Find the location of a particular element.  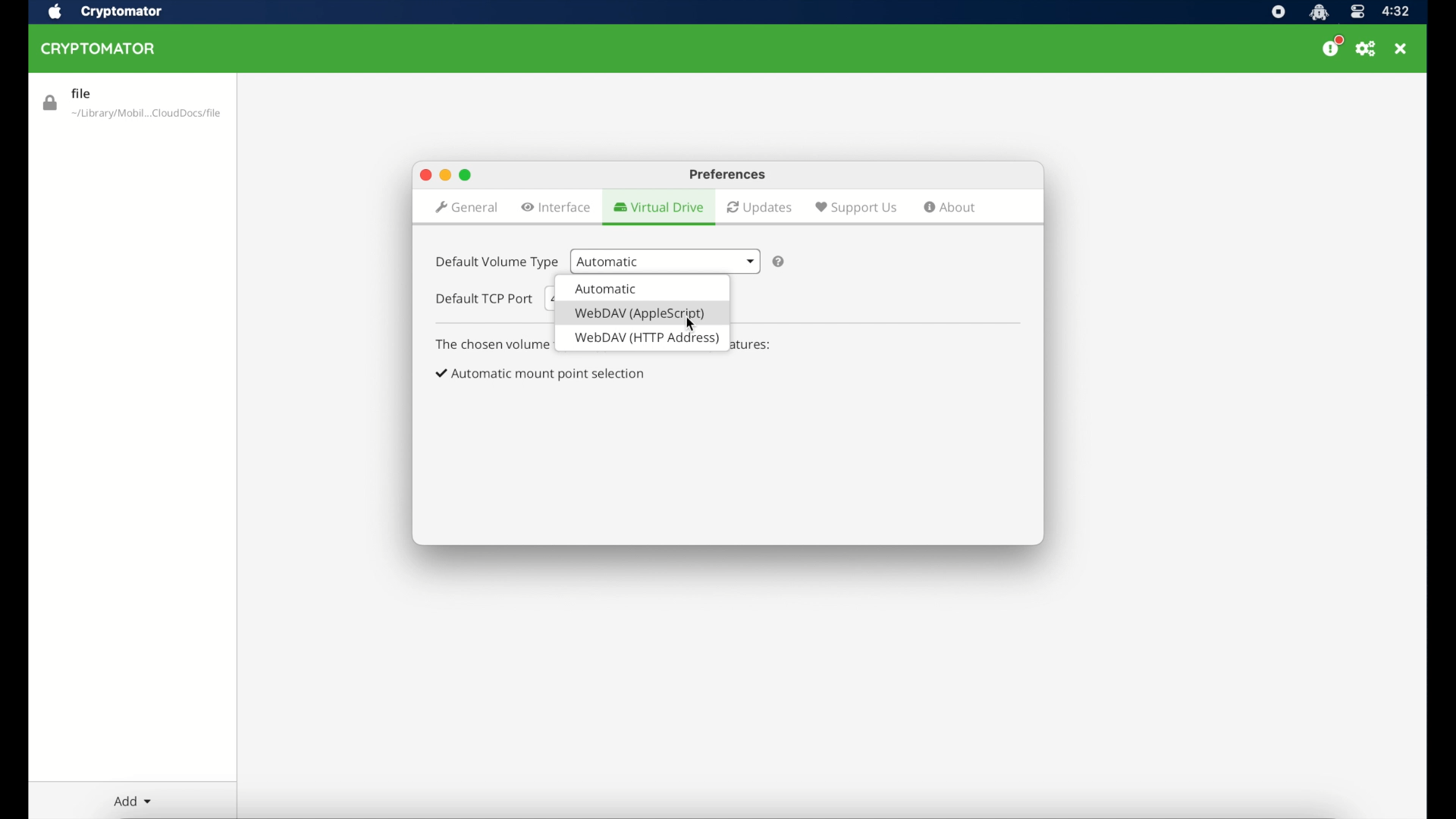

automatic dropdown is located at coordinates (663, 260).